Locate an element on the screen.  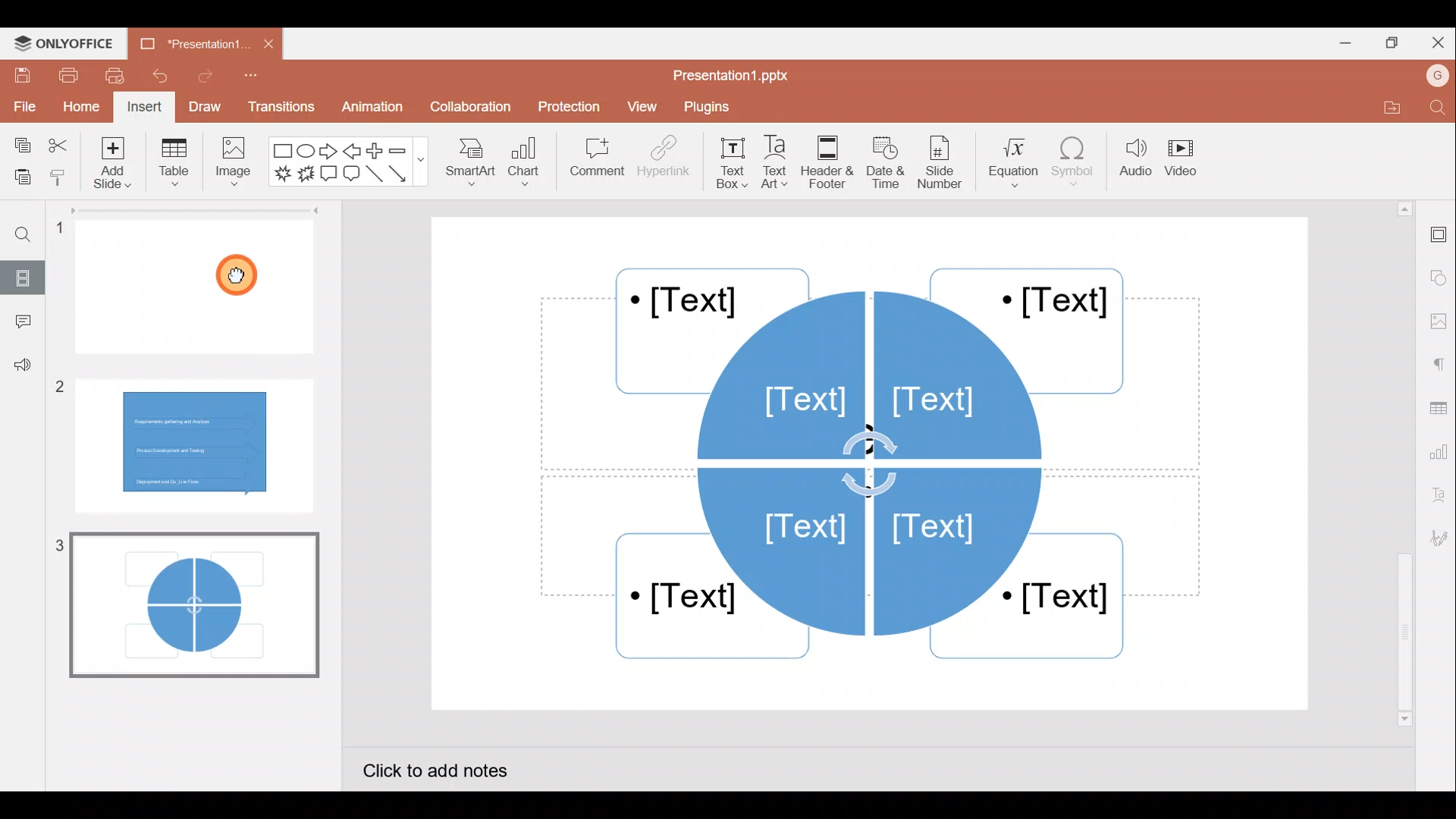
Ellipse is located at coordinates (305, 152).